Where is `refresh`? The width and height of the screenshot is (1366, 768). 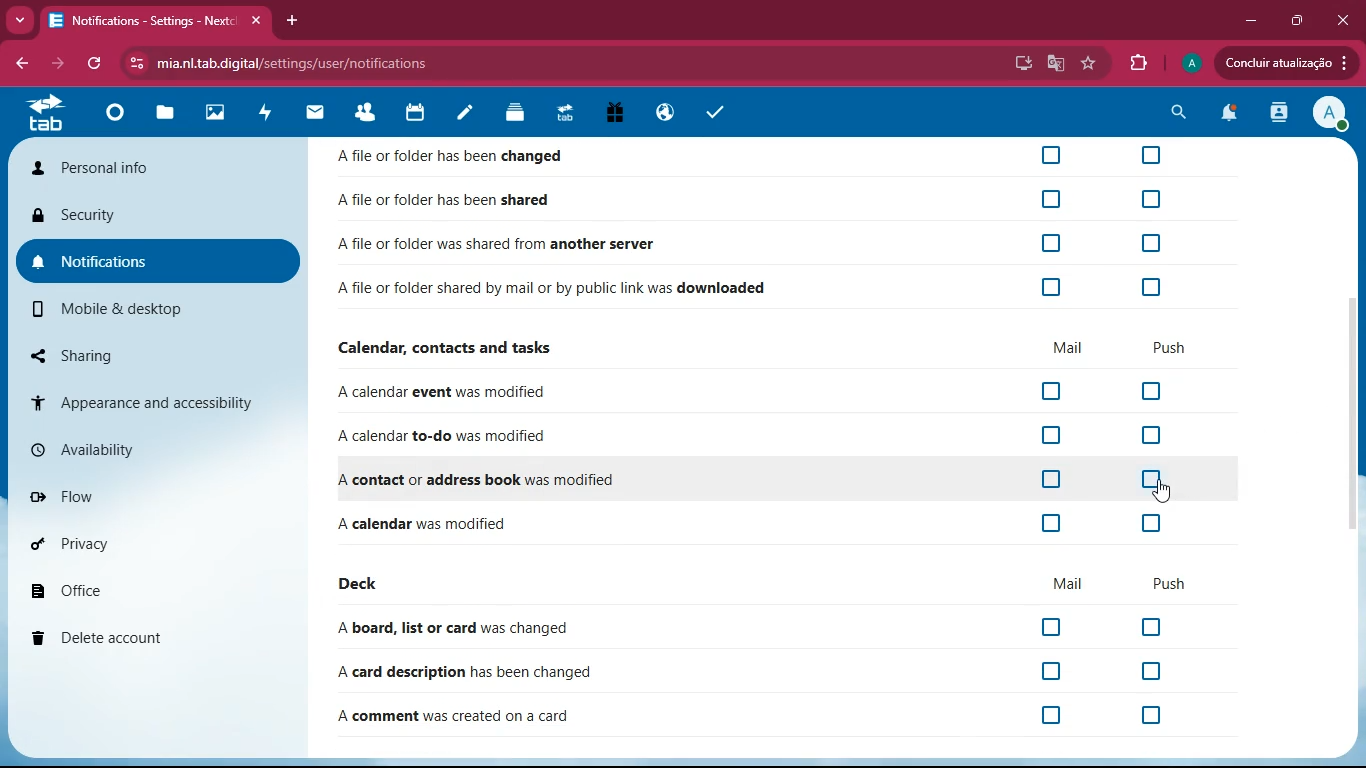
refresh is located at coordinates (98, 64).